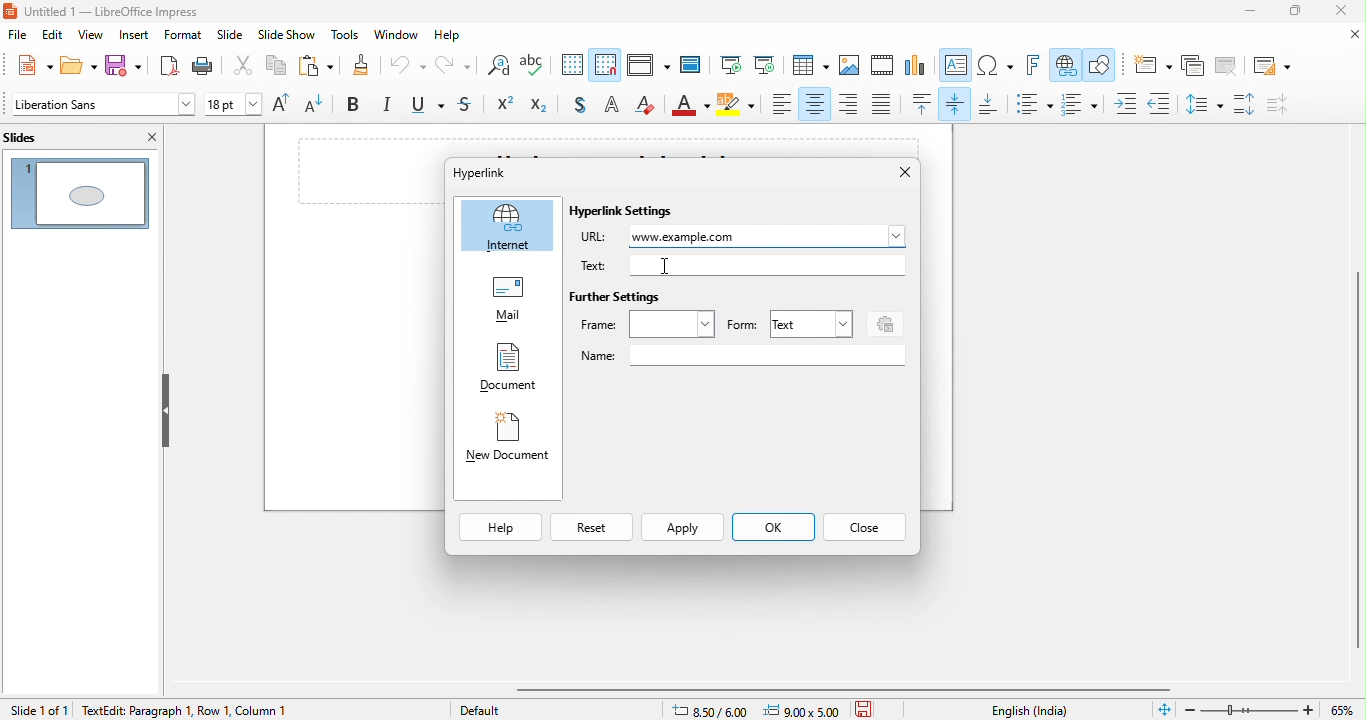  What do you see at coordinates (234, 106) in the screenshot?
I see `font size` at bounding box center [234, 106].